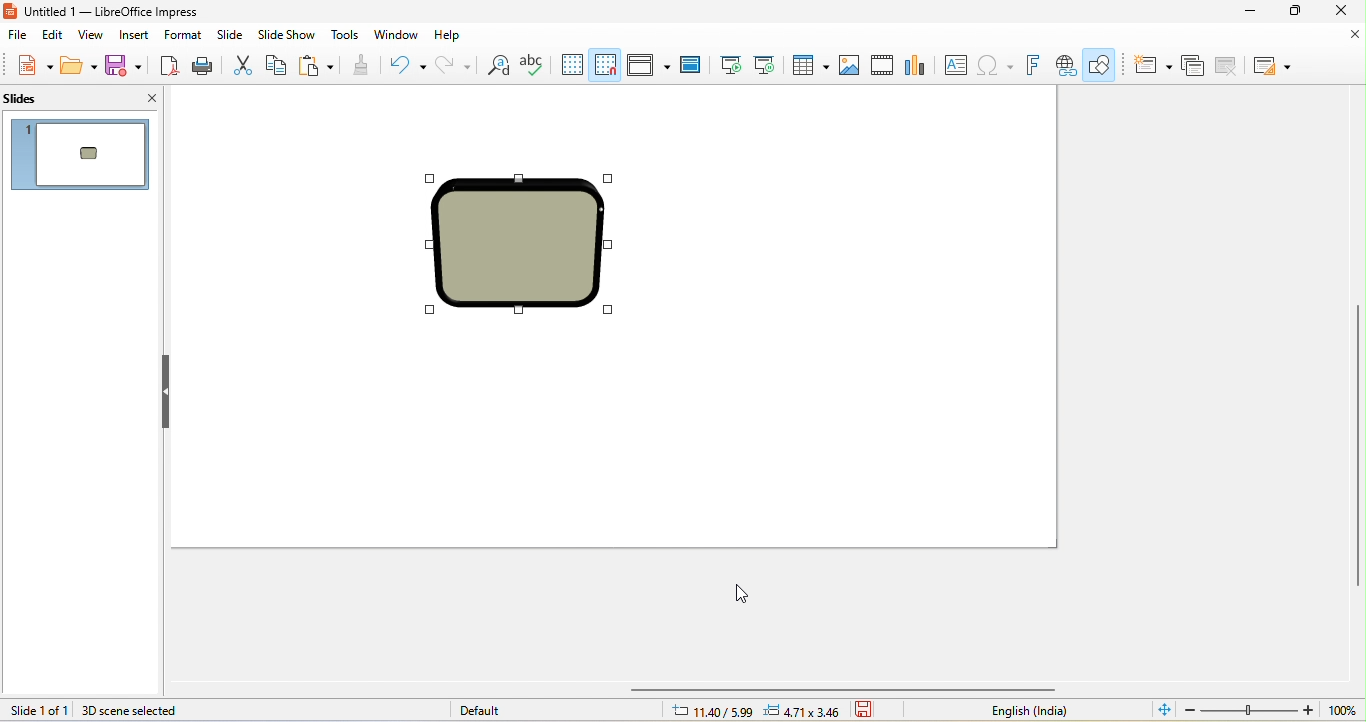 Image resolution: width=1366 pixels, height=722 pixels. Describe the element at coordinates (452, 37) in the screenshot. I see `help` at that location.